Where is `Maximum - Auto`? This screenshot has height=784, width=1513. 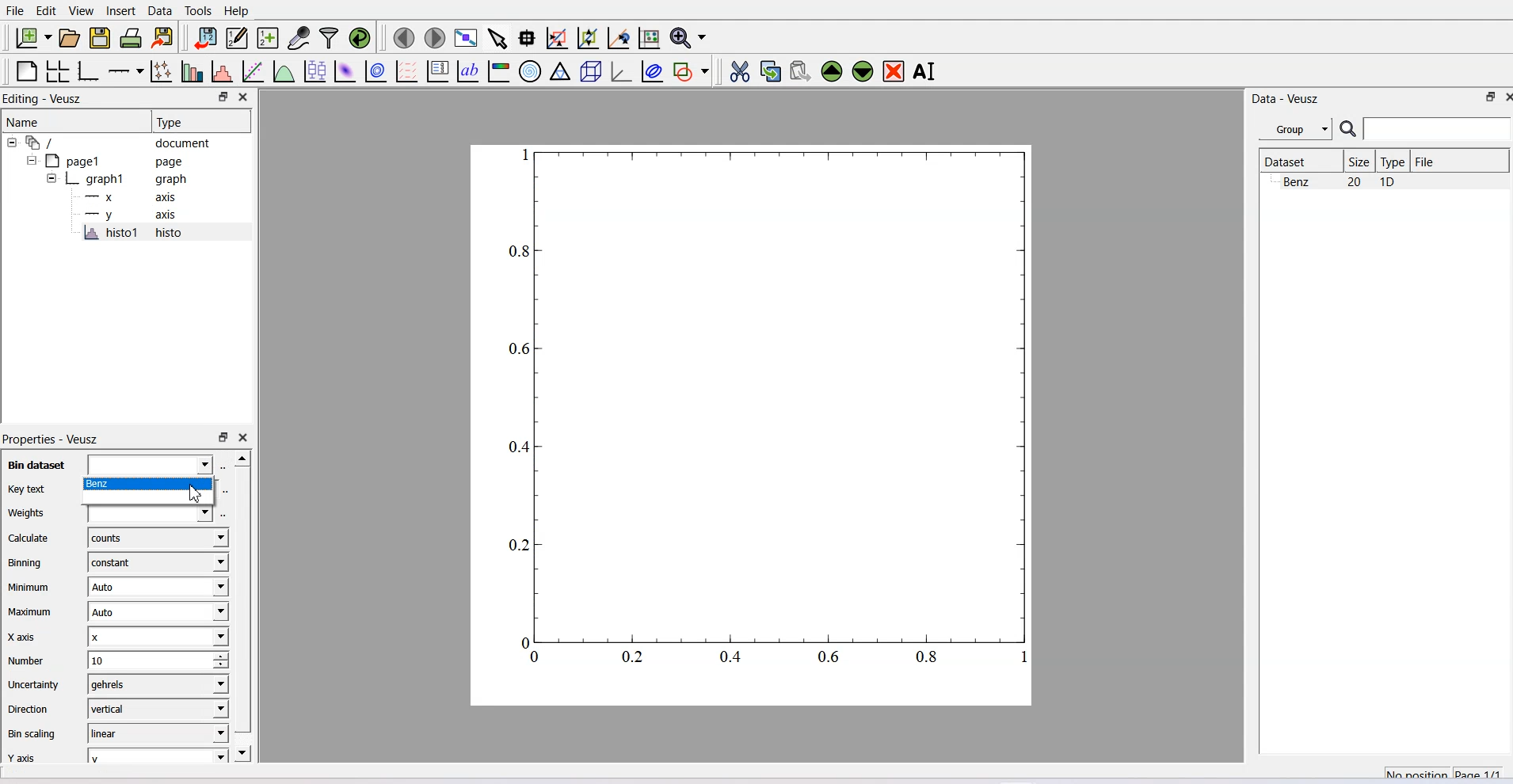 Maximum - Auto is located at coordinates (115, 611).